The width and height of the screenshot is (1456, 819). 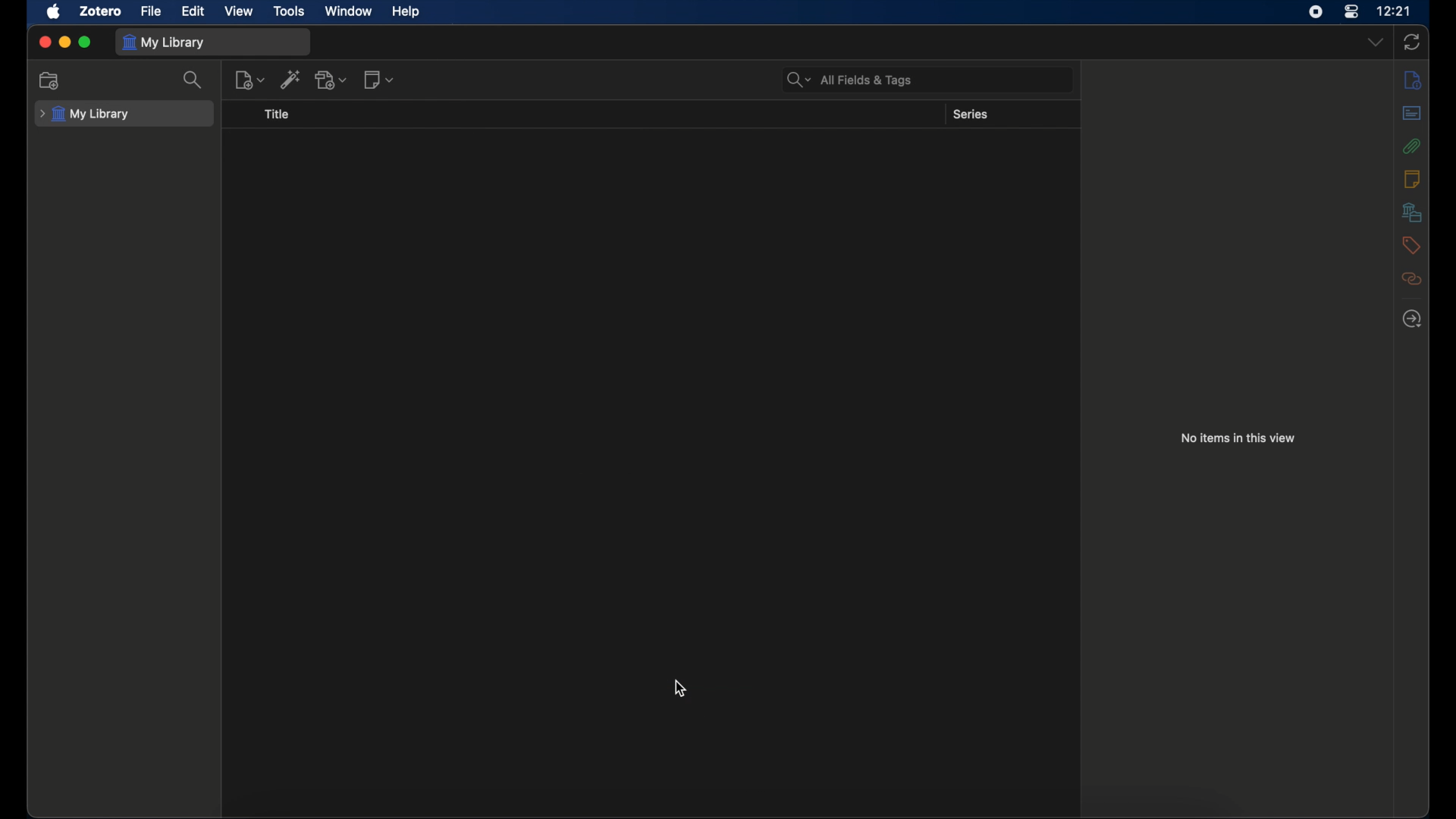 What do you see at coordinates (193, 80) in the screenshot?
I see `search` at bounding box center [193, 80].